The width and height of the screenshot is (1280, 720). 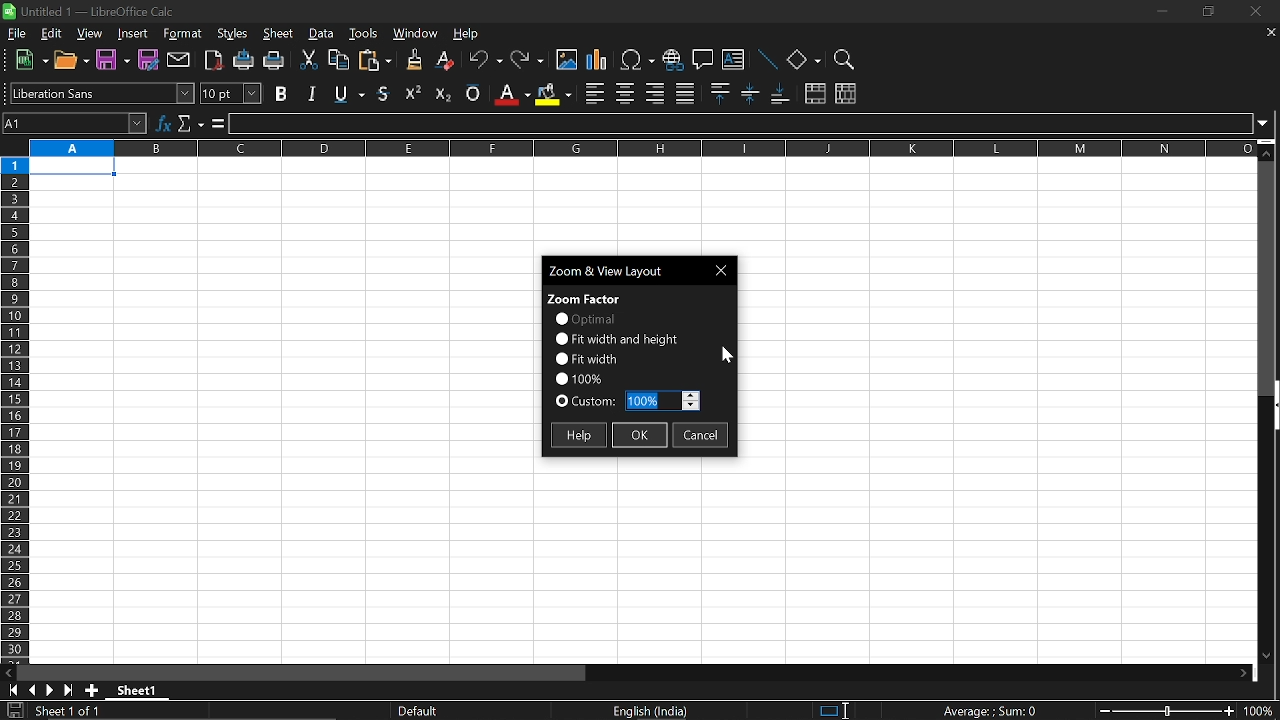 What do you see at coordinates (639, 147) in the screenshot?
I see `columns` at bounding box center [639, 147].